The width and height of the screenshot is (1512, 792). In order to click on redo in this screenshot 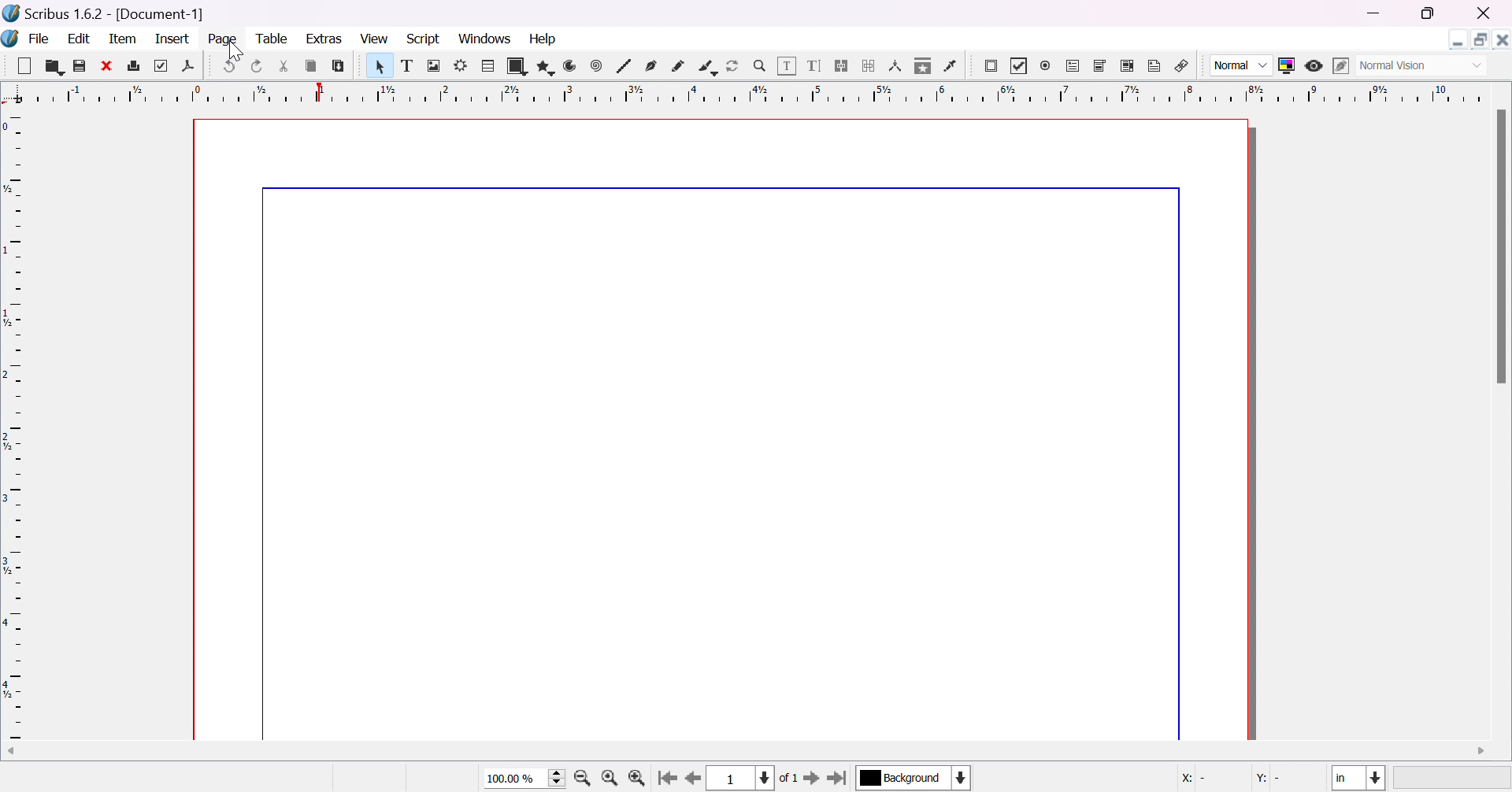, I will do `click(256, 65)`.